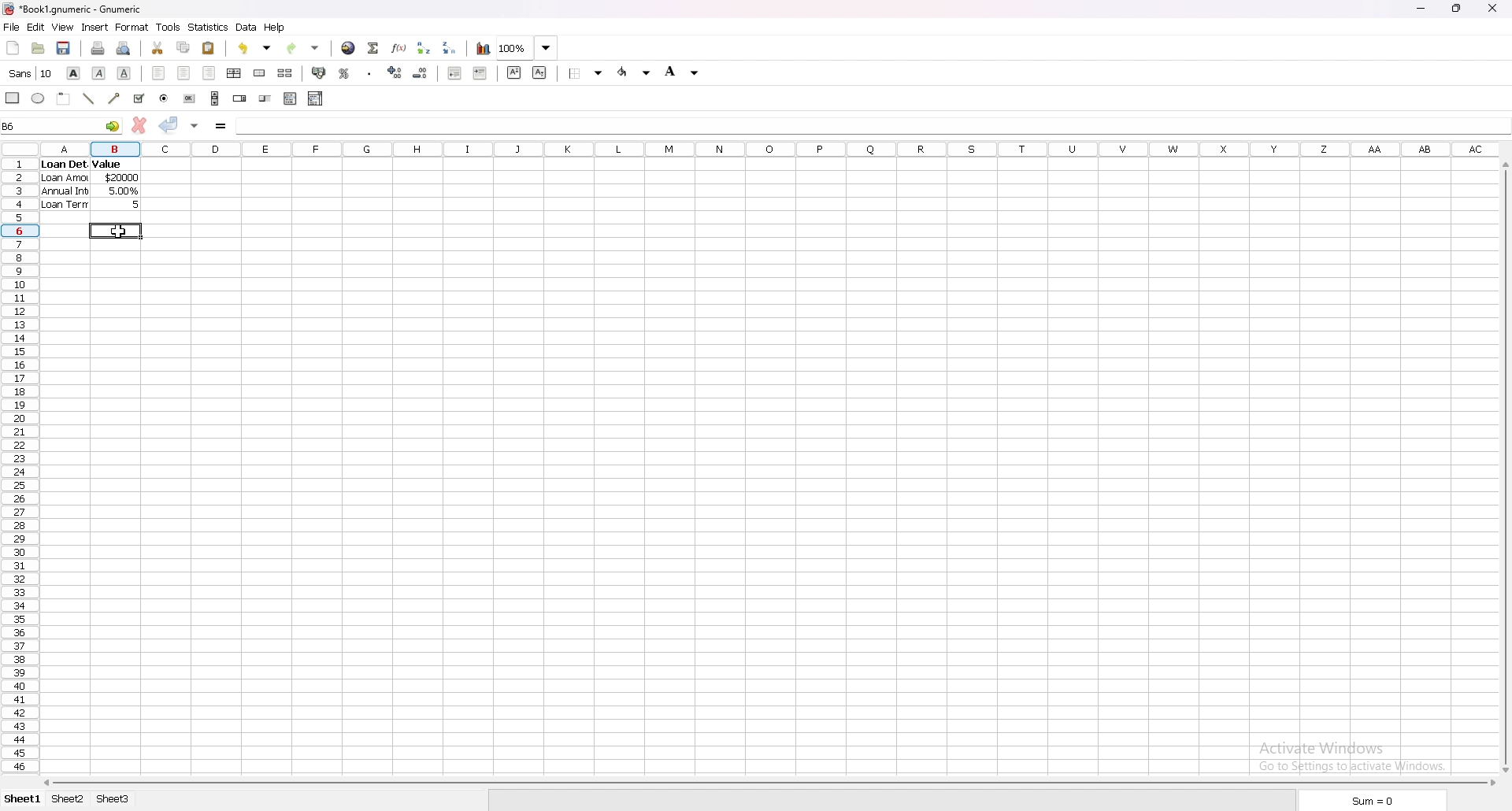  I want to click on underline, so click(124, 72).